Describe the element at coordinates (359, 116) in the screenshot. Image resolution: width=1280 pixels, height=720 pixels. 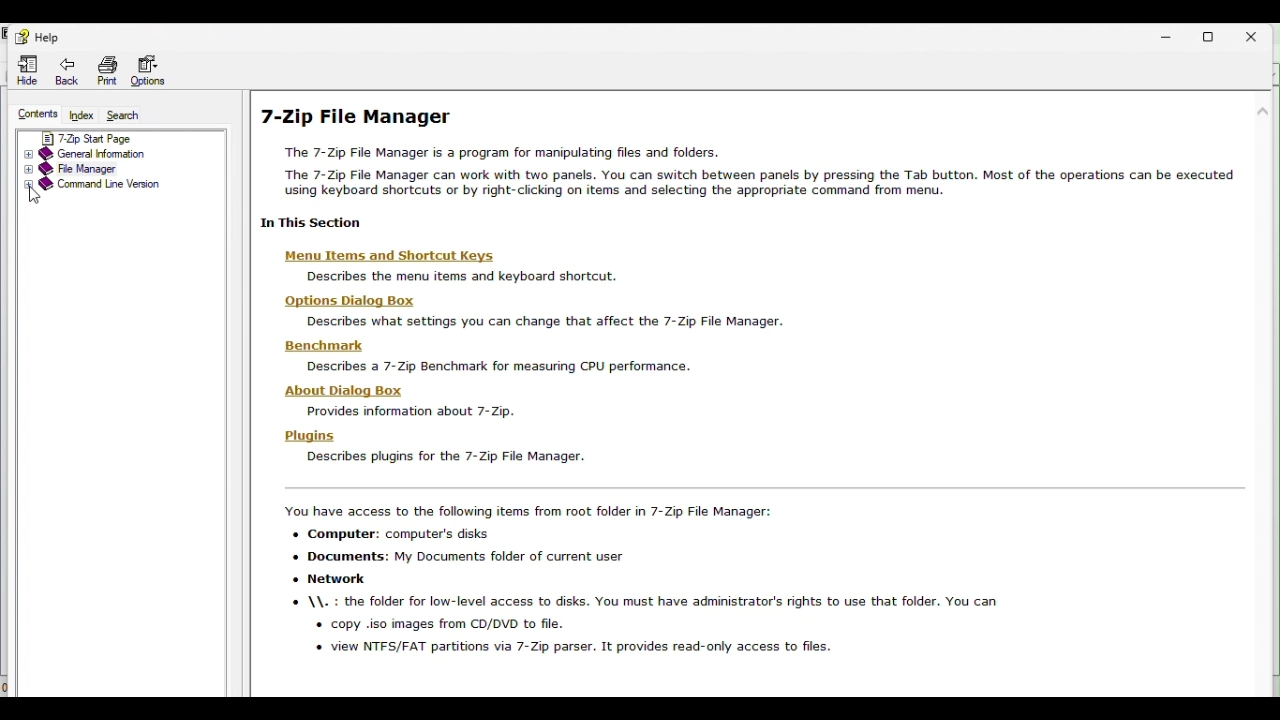
I see `7-Zip file manager` at that location.